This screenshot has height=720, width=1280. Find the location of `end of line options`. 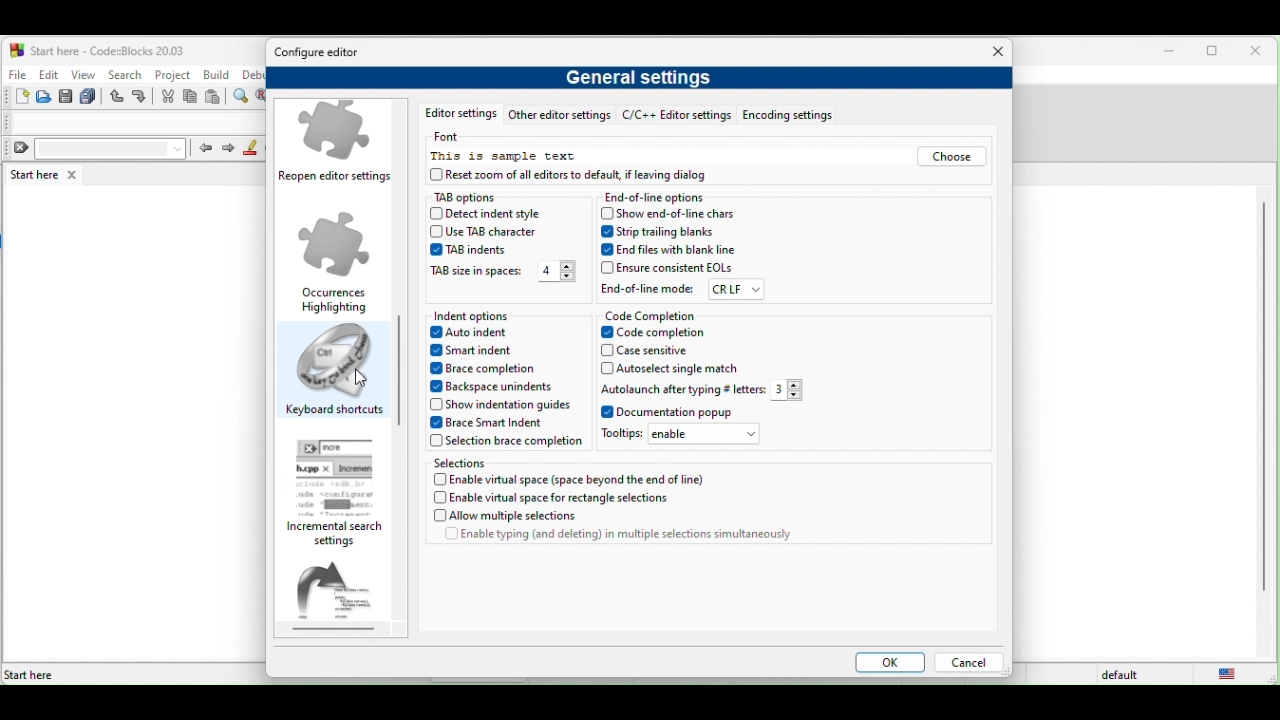

end of line options is located at coordinates (660, 198).